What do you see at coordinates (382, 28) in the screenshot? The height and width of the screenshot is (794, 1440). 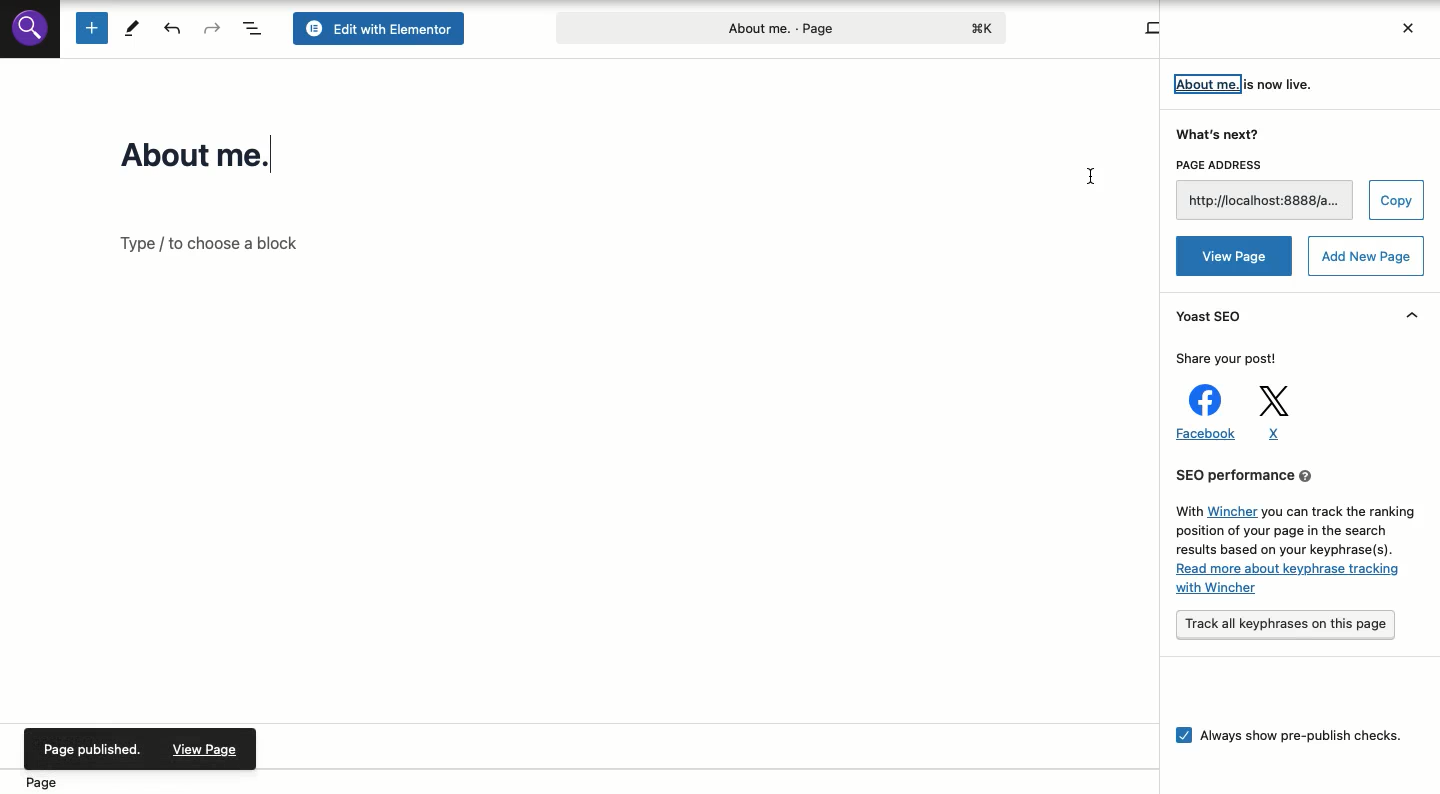 I see `Edit with Elementor` at bounding box center [382, 28].